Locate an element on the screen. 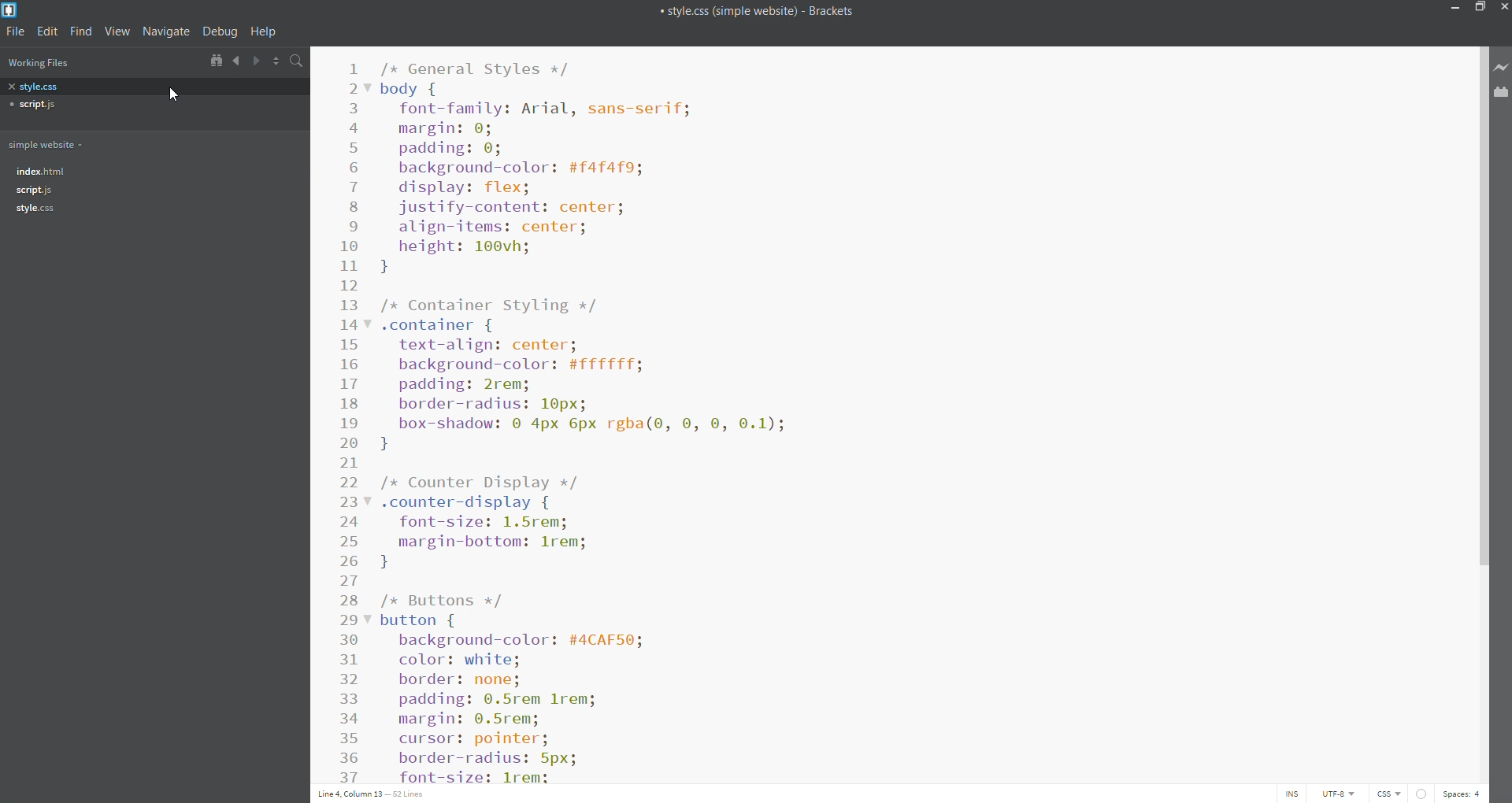 This screenshot has width=1512, height=803. edit is located at coordinates (50, 32).